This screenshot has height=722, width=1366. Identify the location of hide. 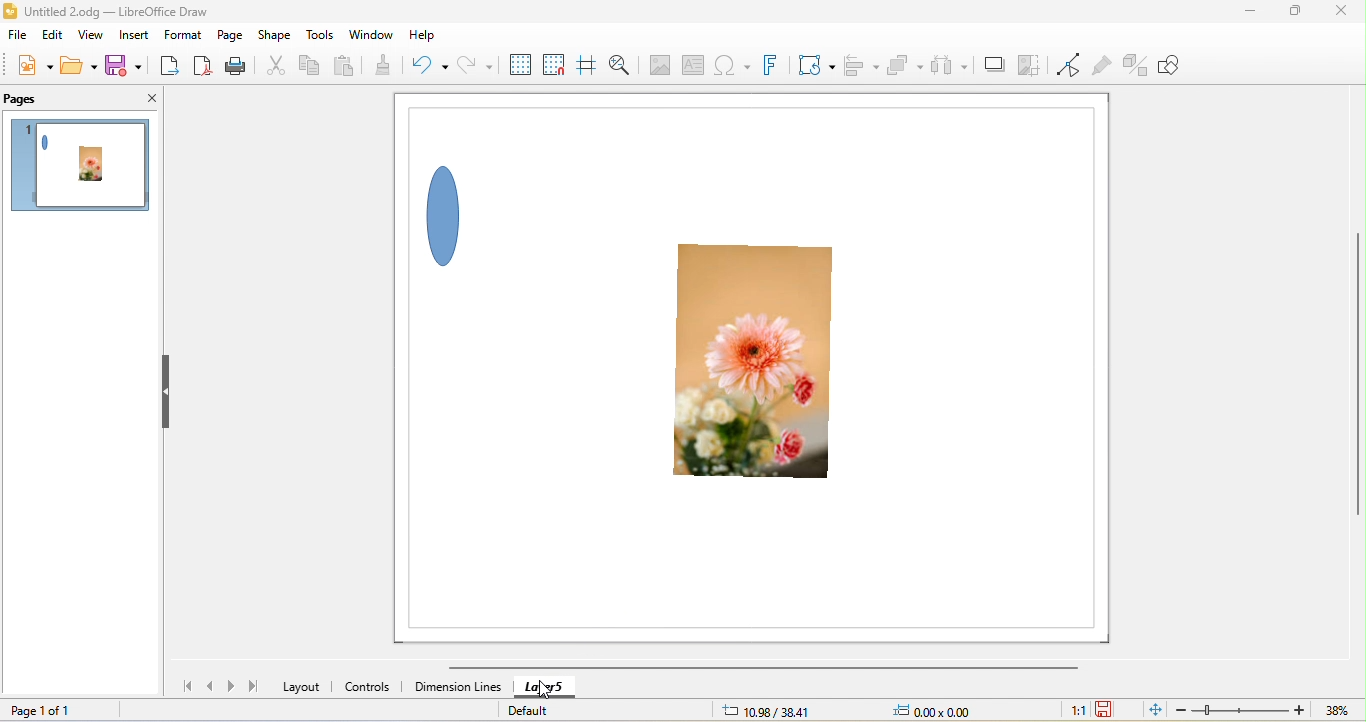
(168, 393).